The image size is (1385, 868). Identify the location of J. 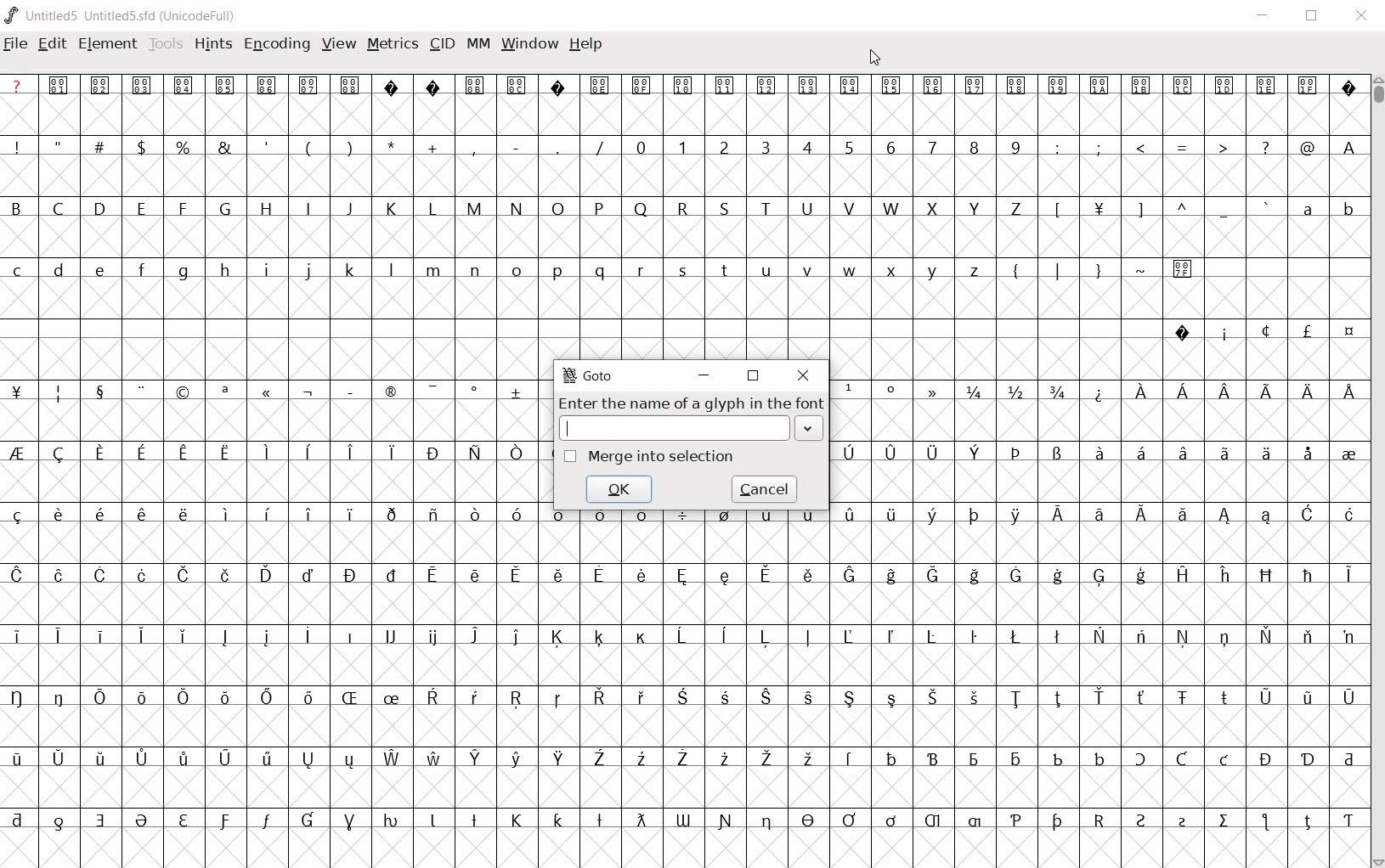
(348, 208).